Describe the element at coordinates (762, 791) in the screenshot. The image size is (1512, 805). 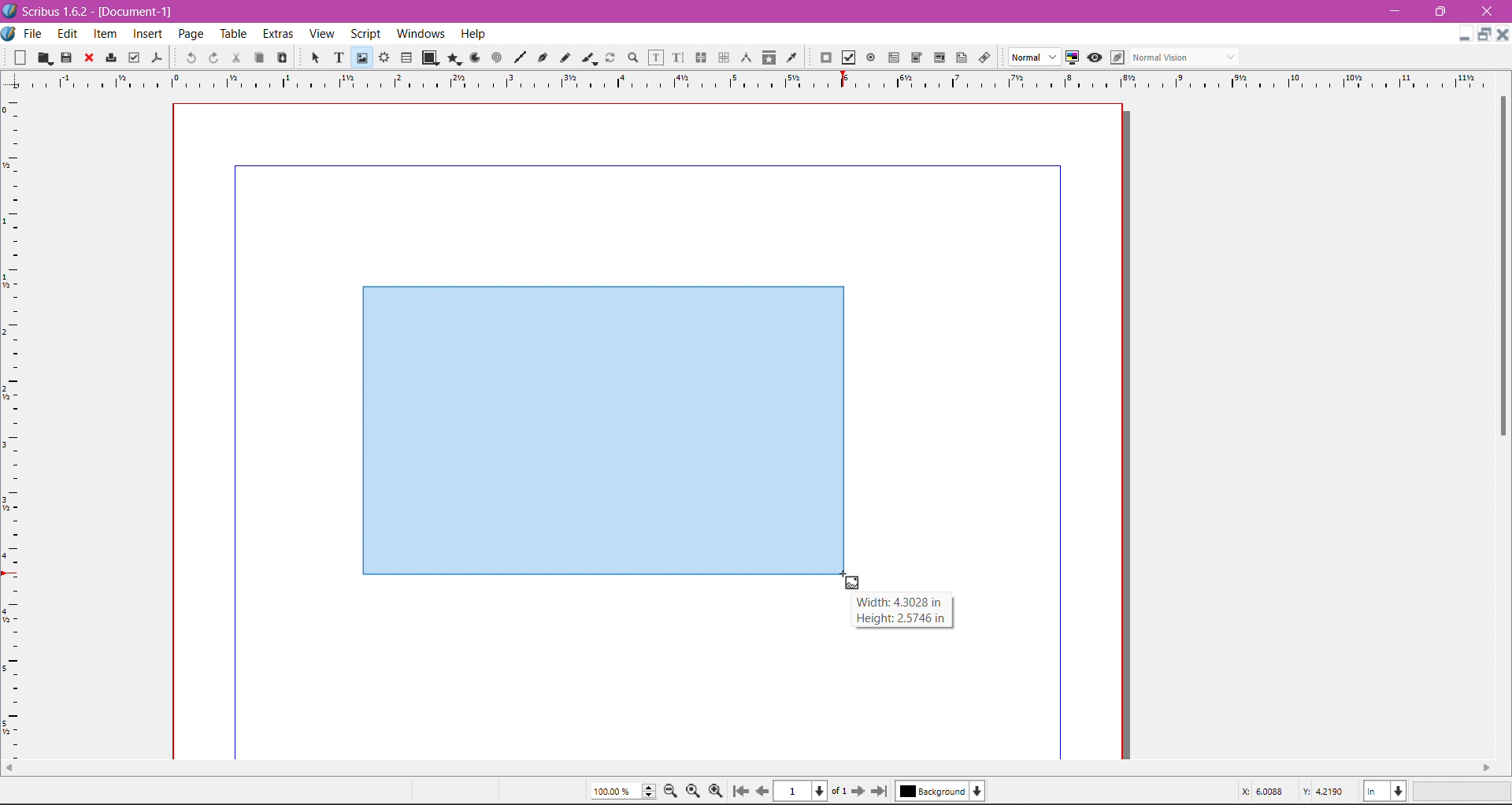
I see `Go to the previous page` at that location.